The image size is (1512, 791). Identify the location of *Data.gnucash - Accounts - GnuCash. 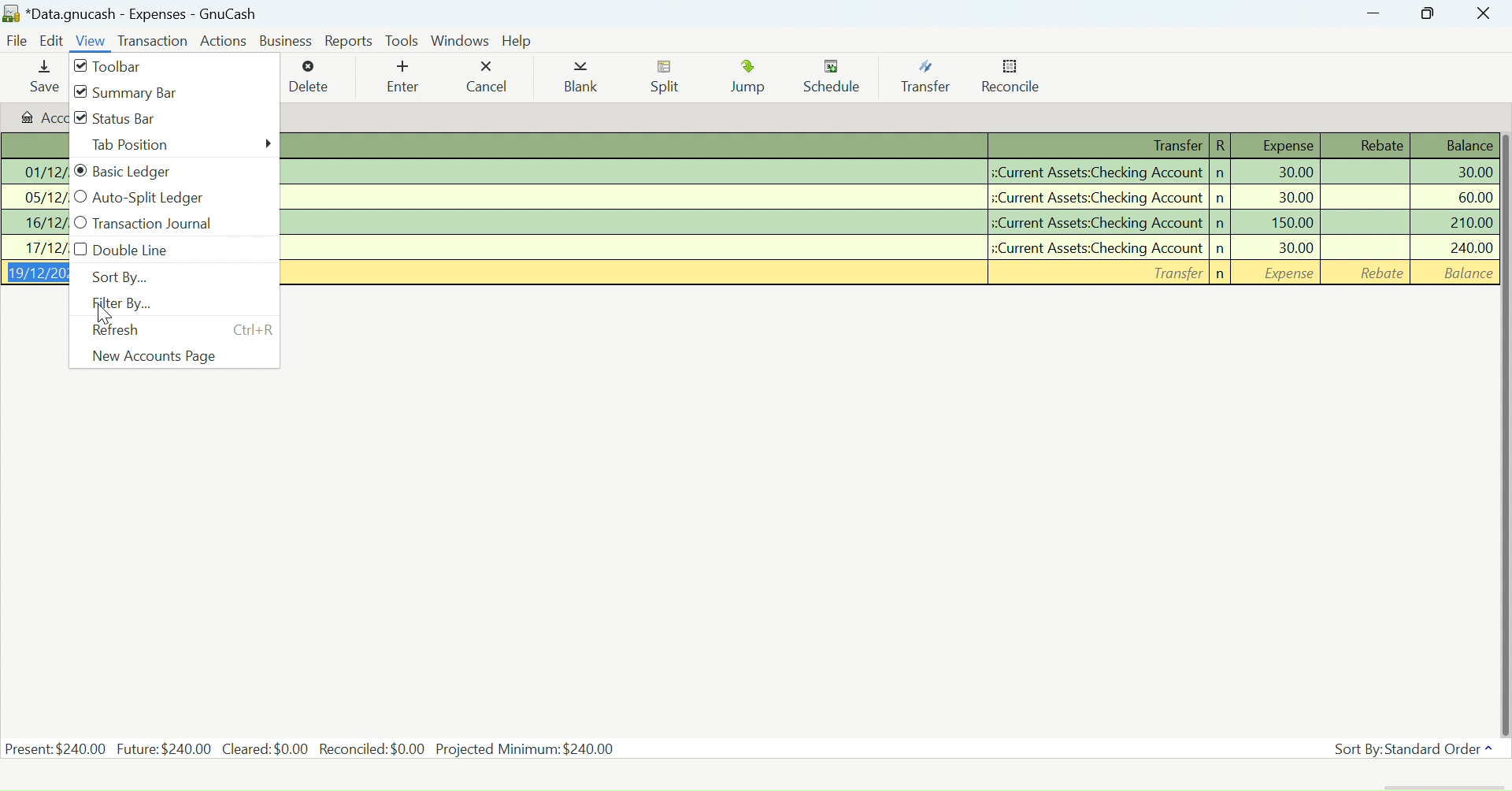
(133, 15).